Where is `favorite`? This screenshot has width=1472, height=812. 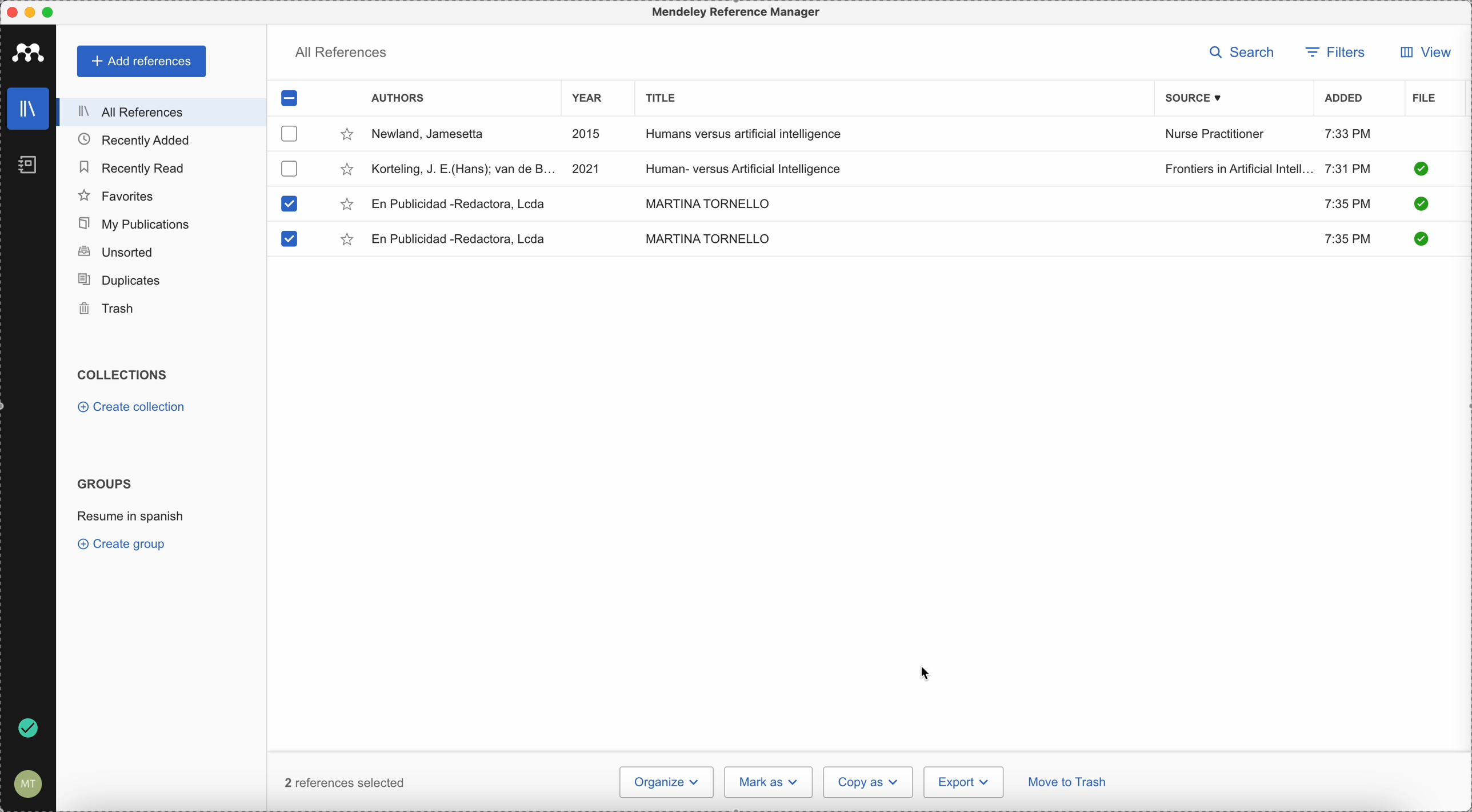
favorite is located at coordinates (349, 241).